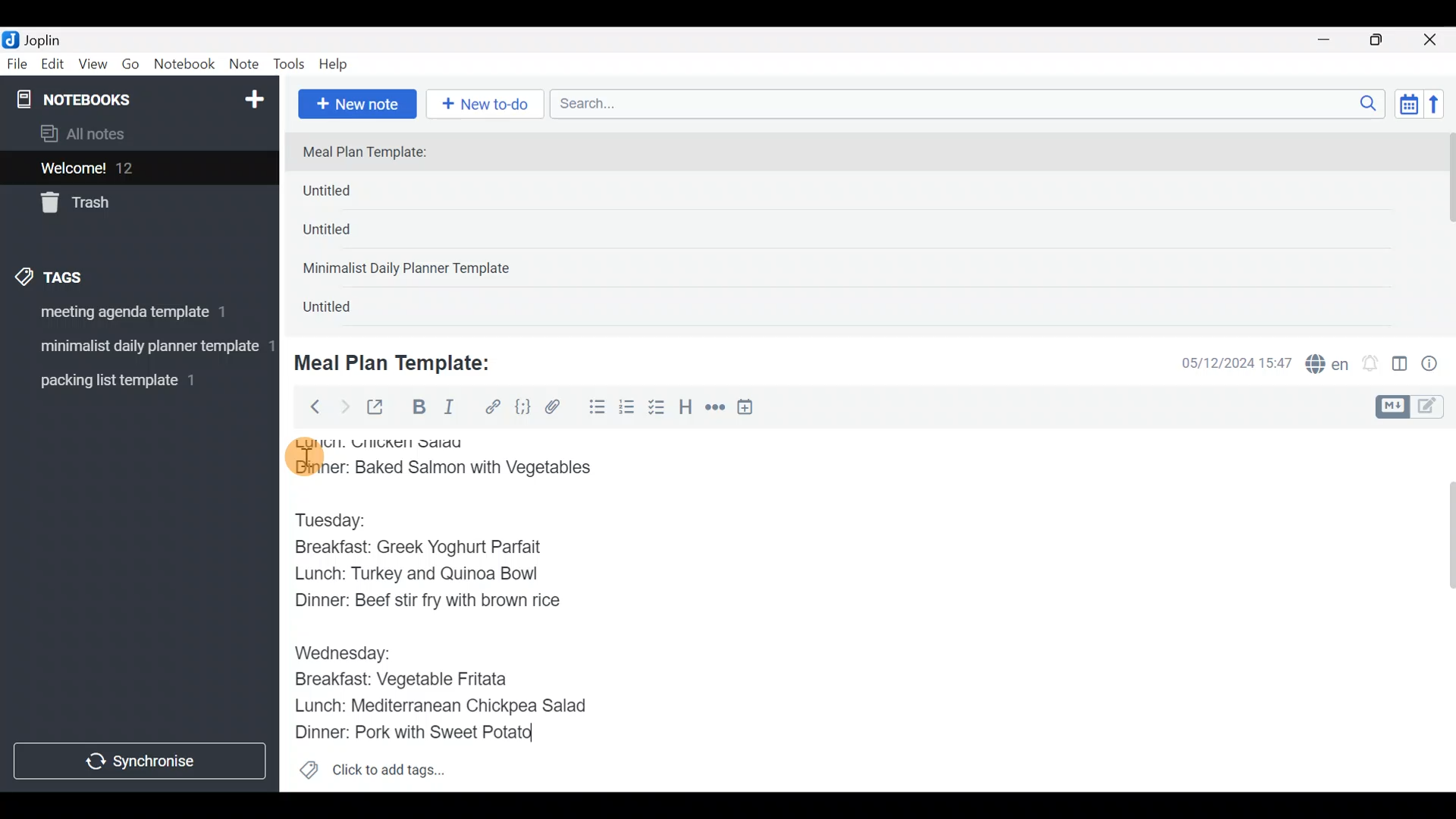 The height and width of the screenshot is (819, 1456). What do you see at coordinates (686, 409) in the screenshot?
I see `Heading` at bounding box center [686, 409].